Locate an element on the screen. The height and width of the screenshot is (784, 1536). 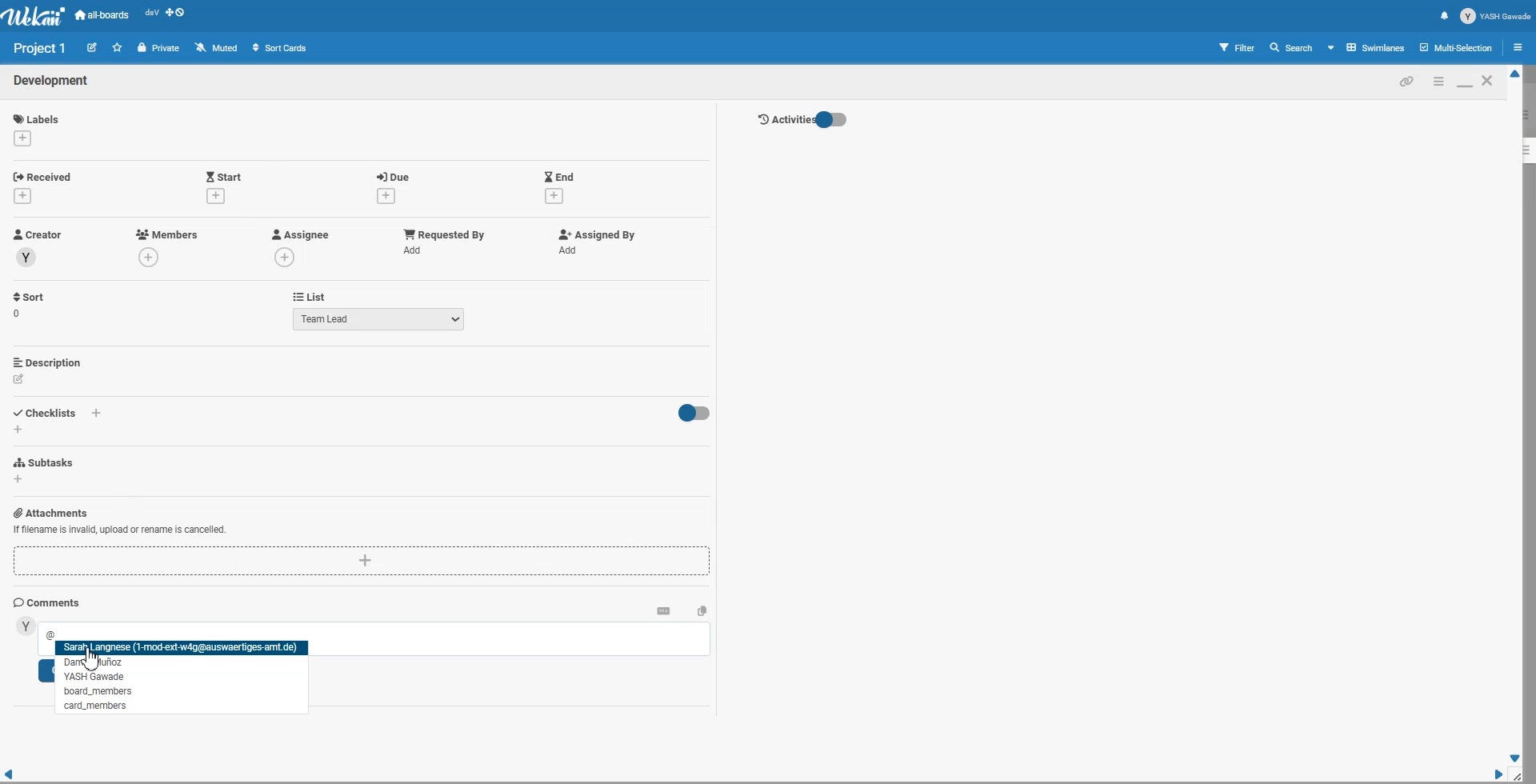
Add Checklist is located at coordinates (48, 411).